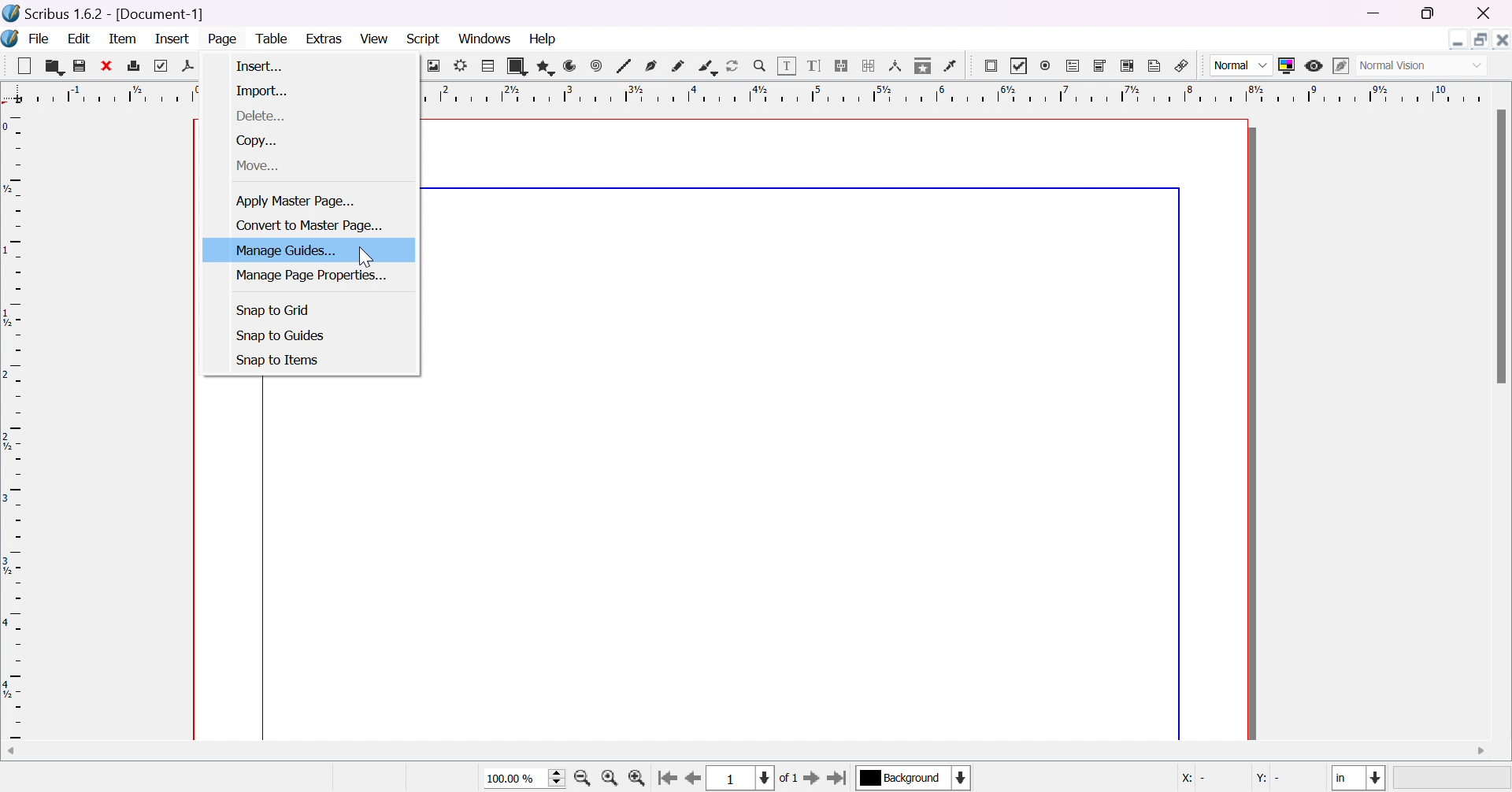  Describe the element at coordinates (194, 65) in the screenshot. I see `save as pdf` at that location.